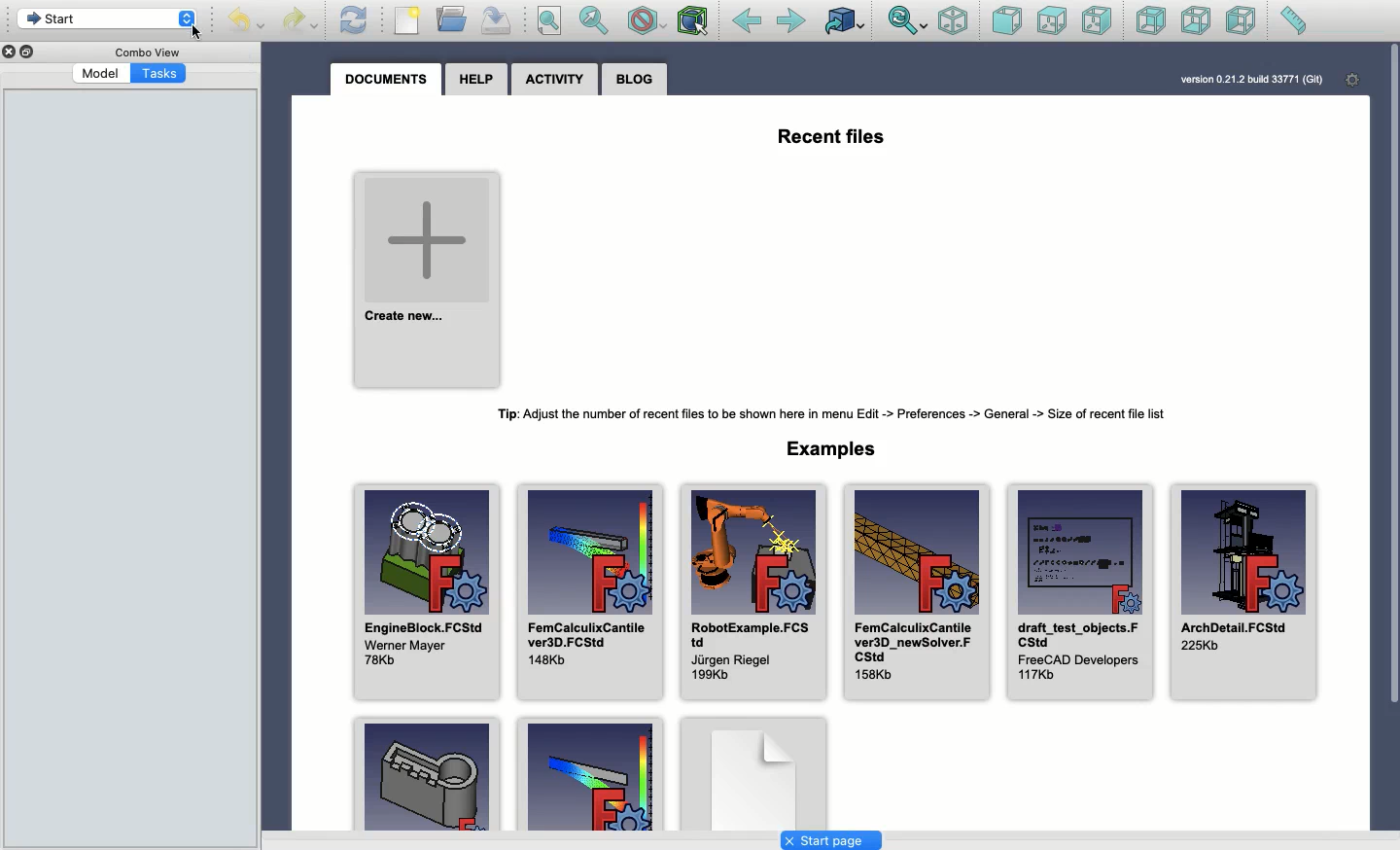 This screenshot has width=1400, height=850. I want to click on Open, so click(454, 19).